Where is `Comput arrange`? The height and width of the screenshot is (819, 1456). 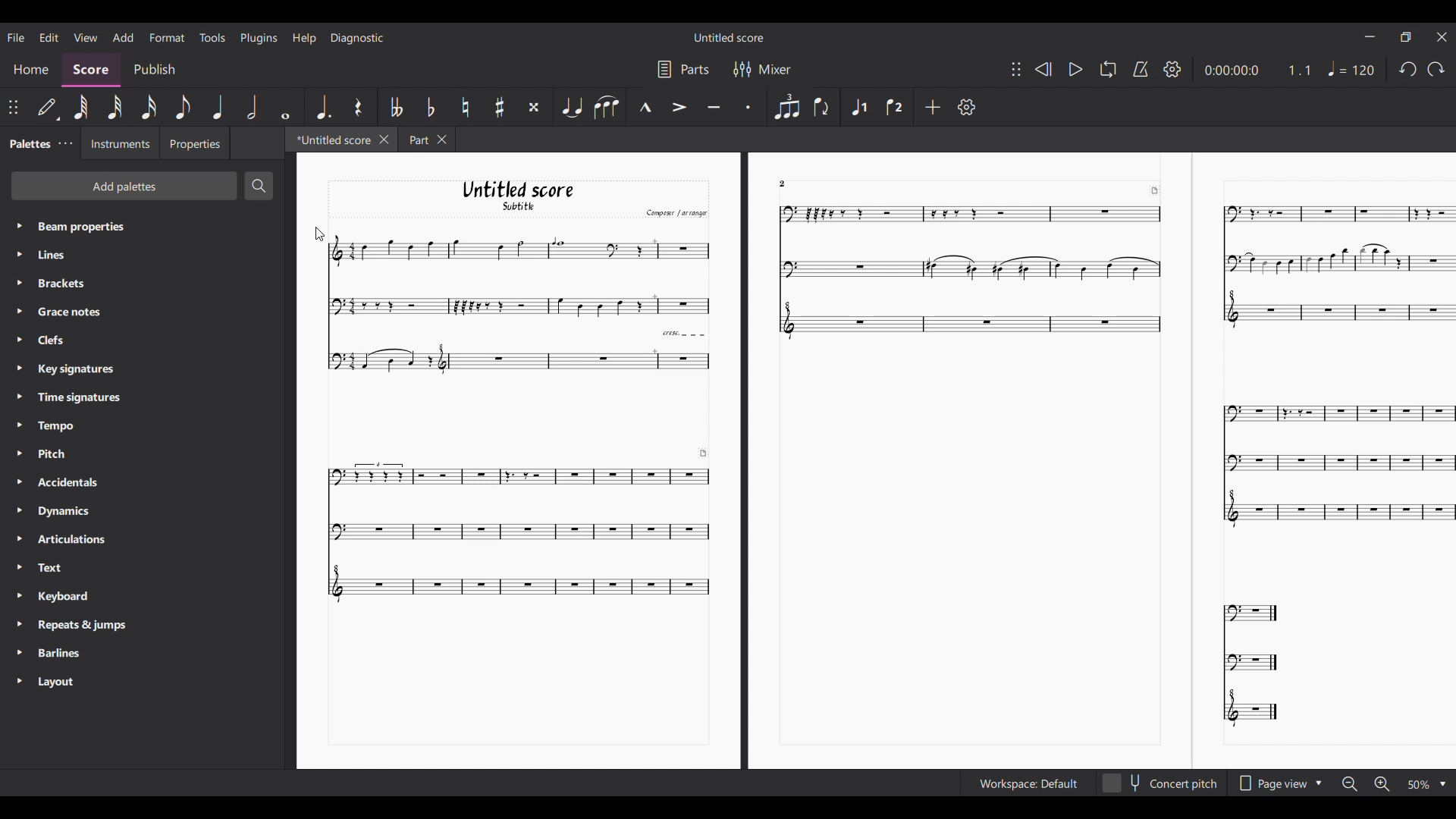 Comput arrange is located at coordinates (673, 212).